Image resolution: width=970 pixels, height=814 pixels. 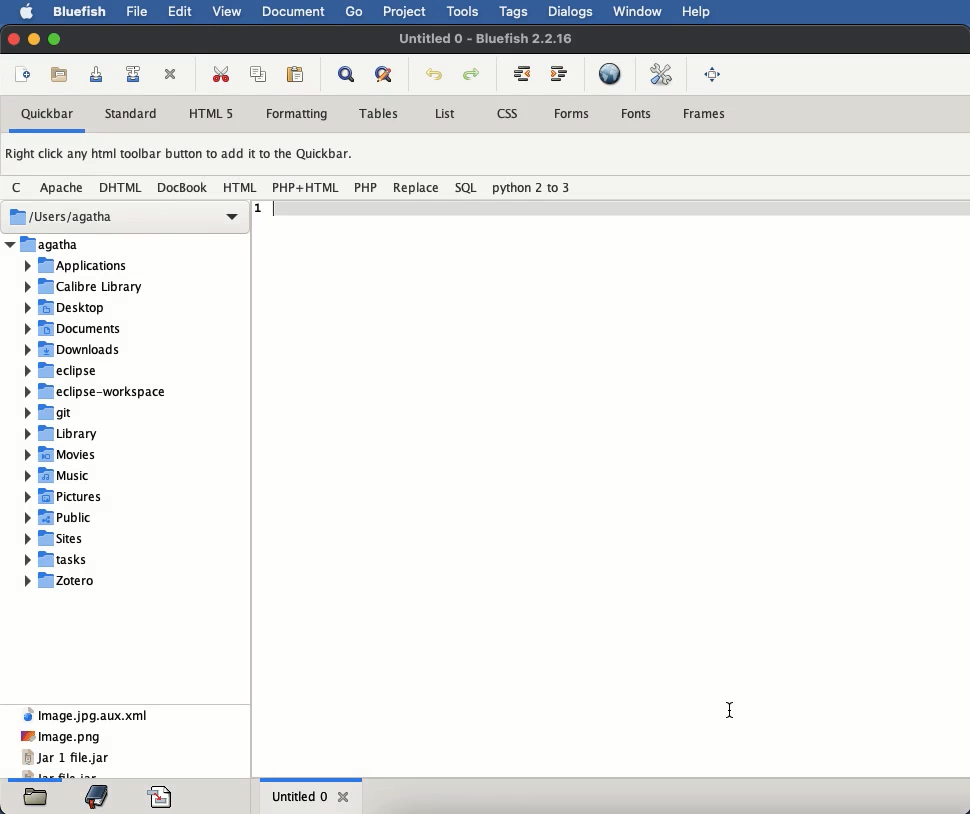 I want to click on php, so click(x=367, y=187).